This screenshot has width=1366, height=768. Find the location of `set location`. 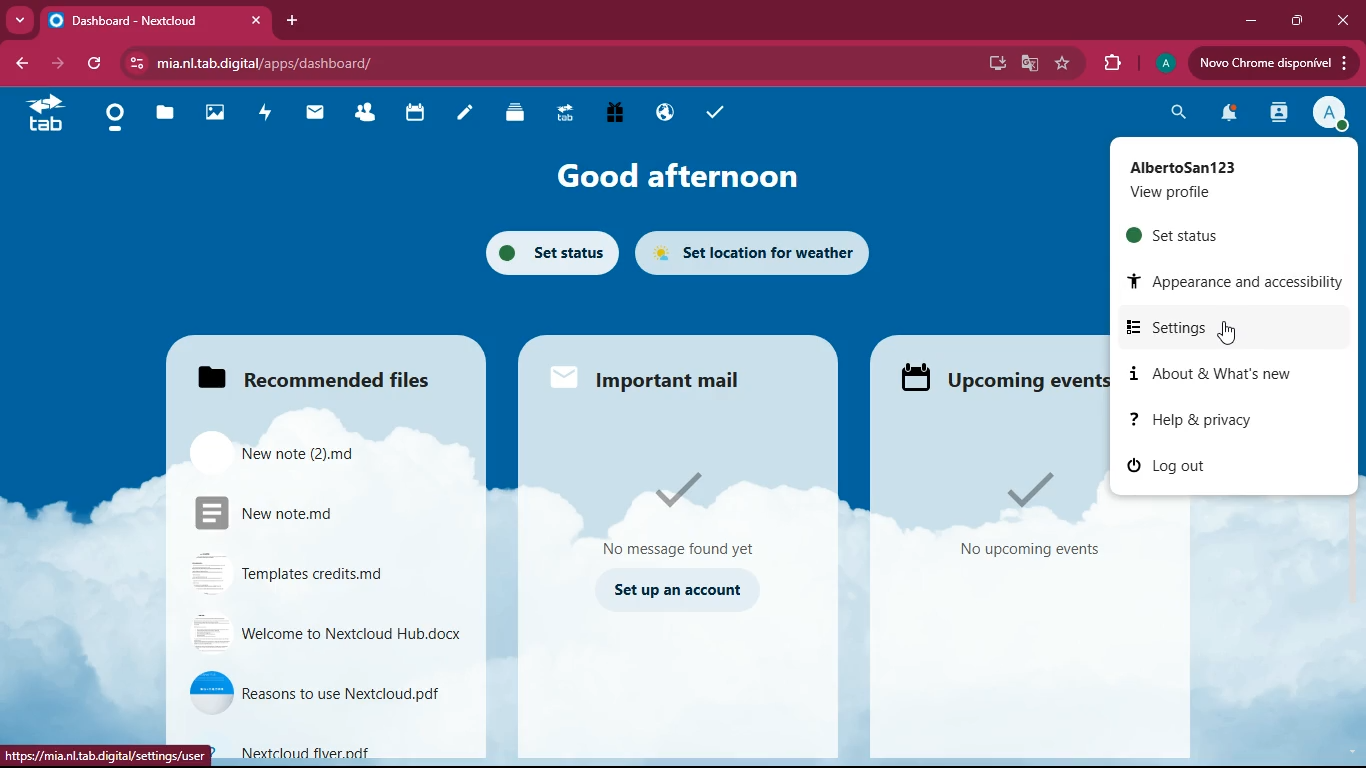

set location is located at coordinates (756, 252).